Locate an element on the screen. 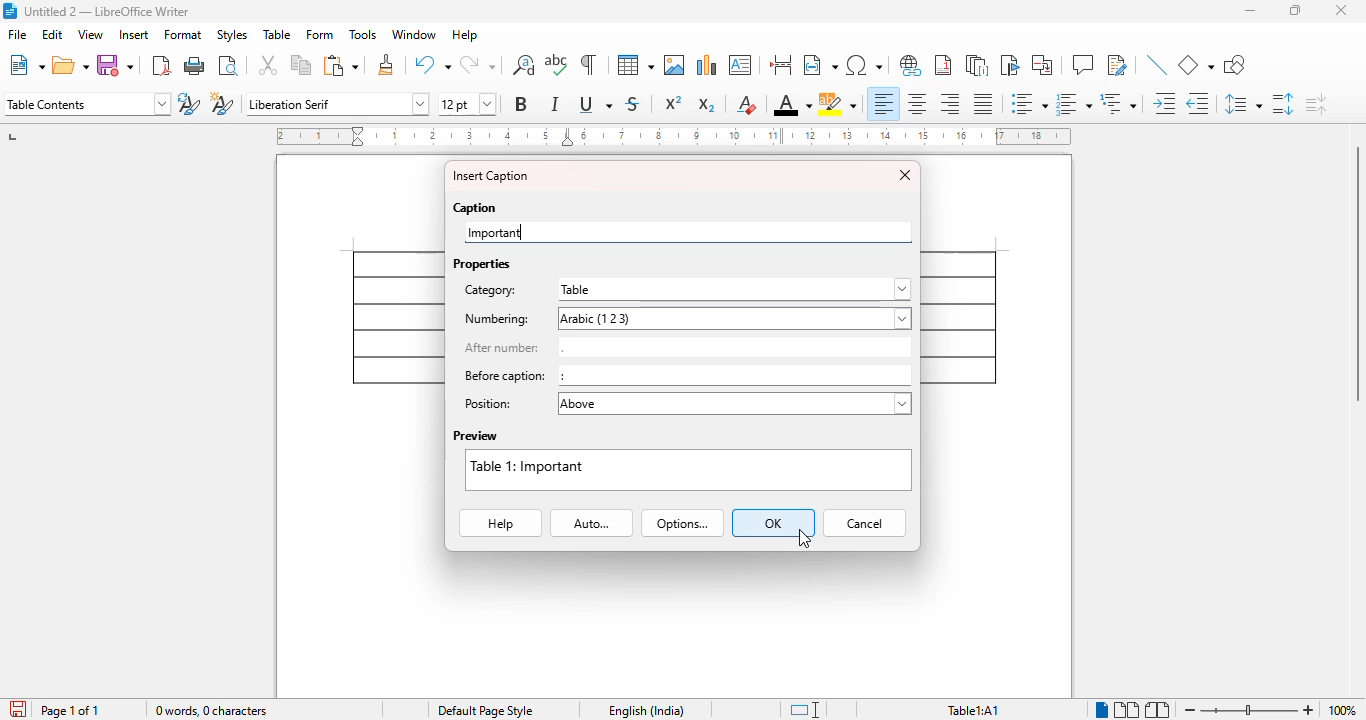 The width and height of the screenshot is (1366, 720). show draw functions is located at coordinates (1235, 64).